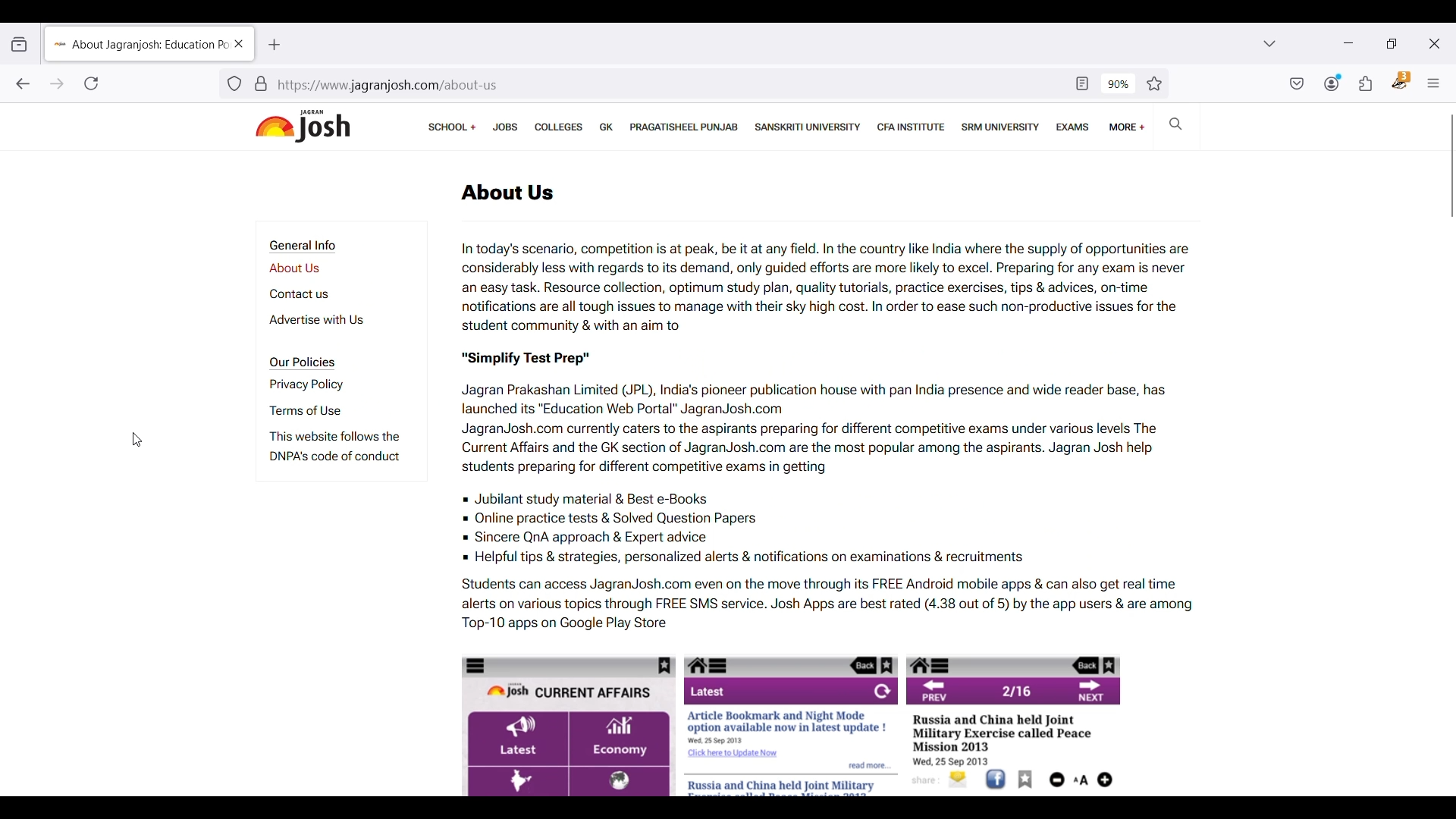 The image size is (1456, 819). What do you see at coordinates (304, 363) in the screenshot?
I see `Section title - Our Policies` at bounding box center [304, 363].